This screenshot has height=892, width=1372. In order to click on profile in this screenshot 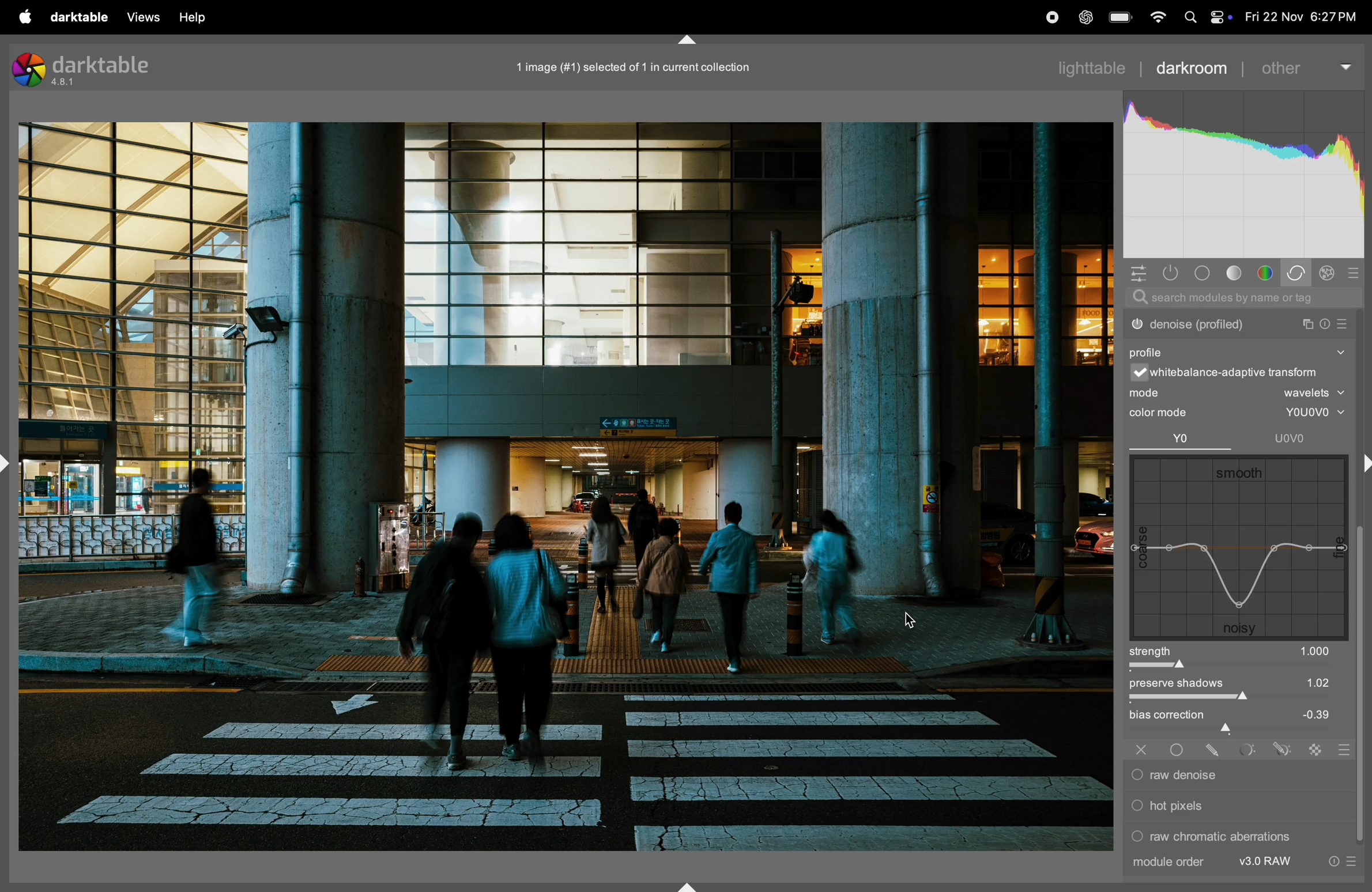, I will do `click(1147, 352)`.